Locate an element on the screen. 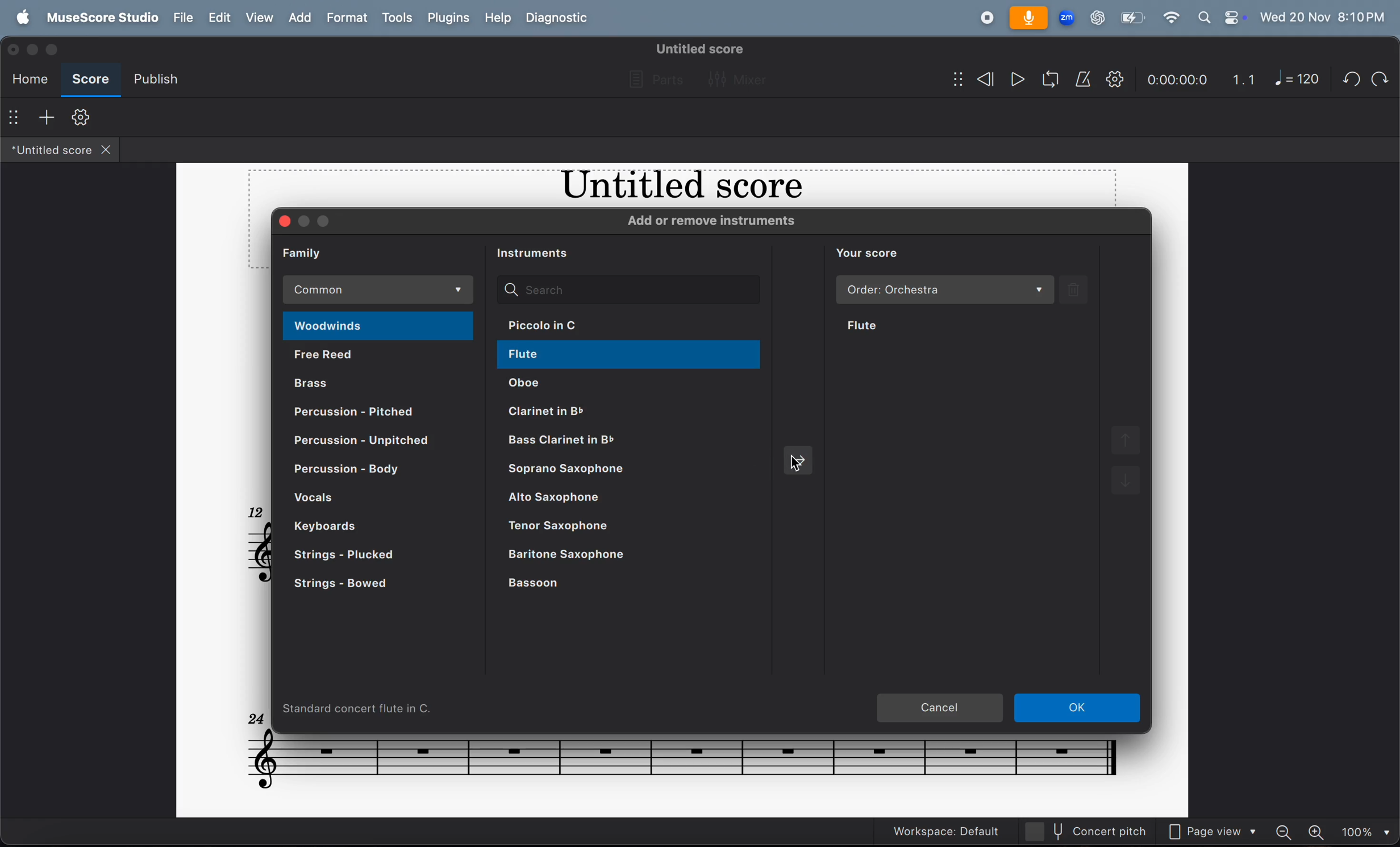  basson is located at coordinates (622, 584).